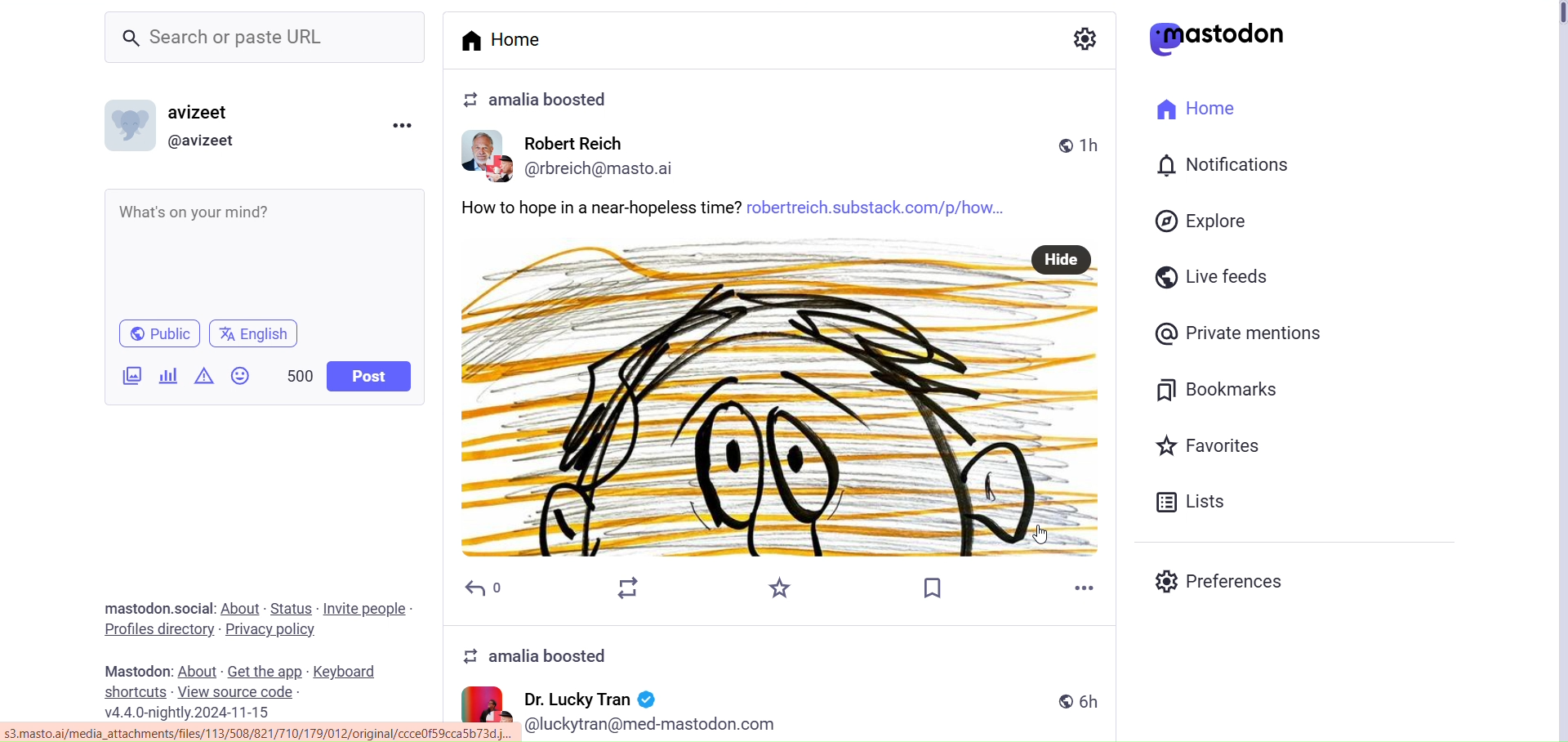 This screenshot has width=1568, height=742. Describe the element at coordinates (157, 333) in the screenshot. I see `Public` at that location.